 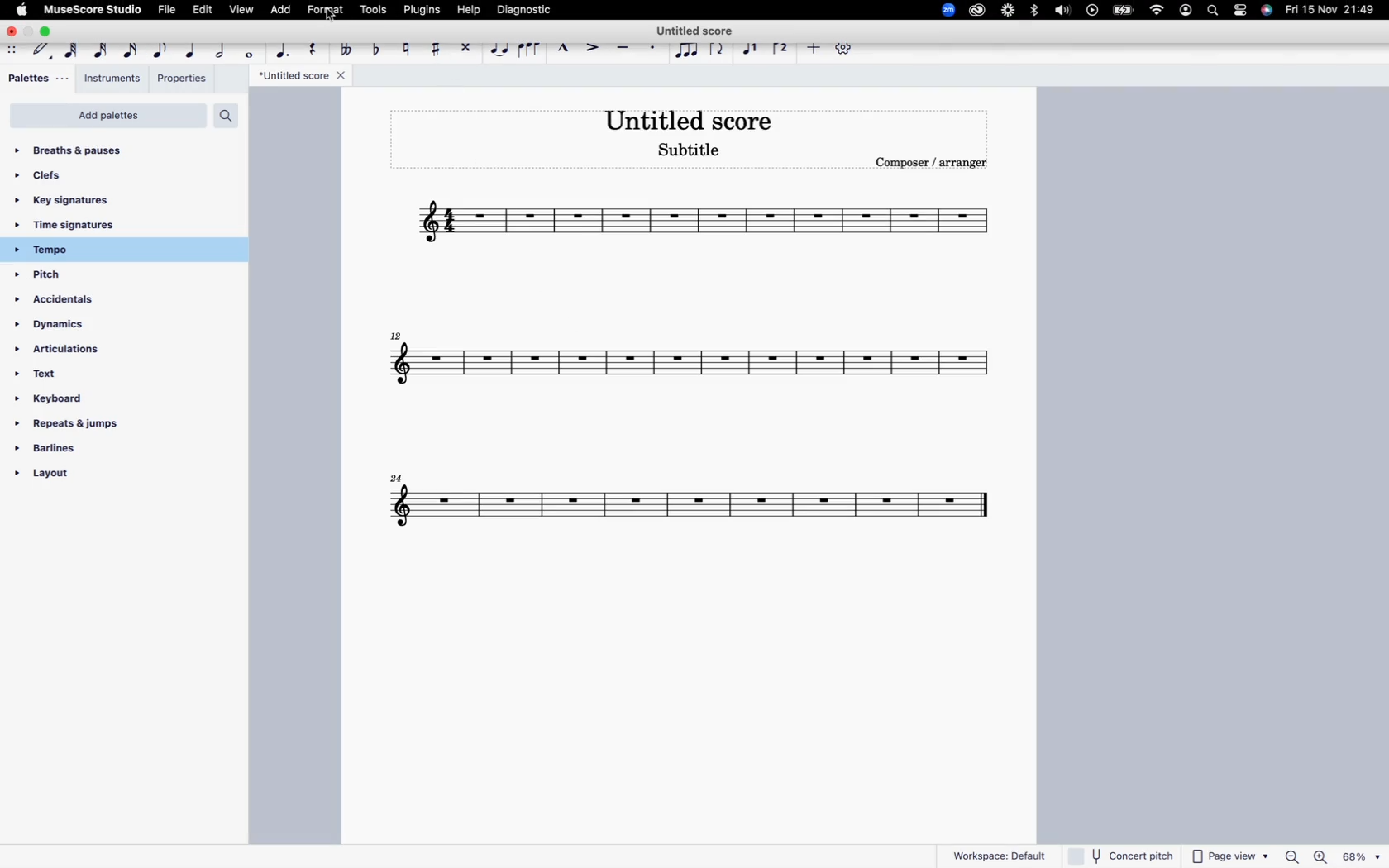 I want to click on volume, so click(x=1061, y=12).